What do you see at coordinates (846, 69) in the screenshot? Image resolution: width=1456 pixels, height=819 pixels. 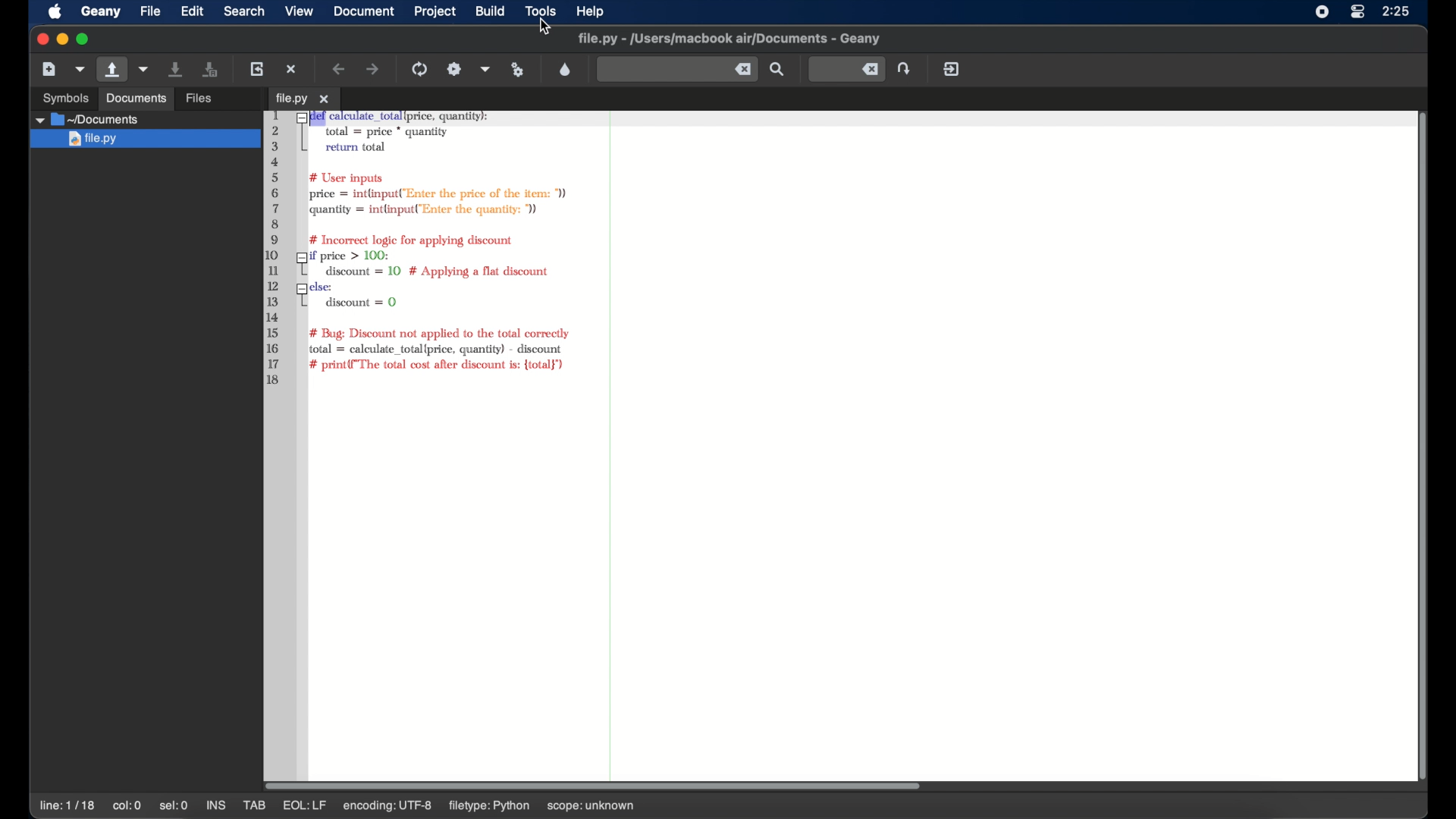 I see `jump to the entered line number` at bounding box center [846, 69].